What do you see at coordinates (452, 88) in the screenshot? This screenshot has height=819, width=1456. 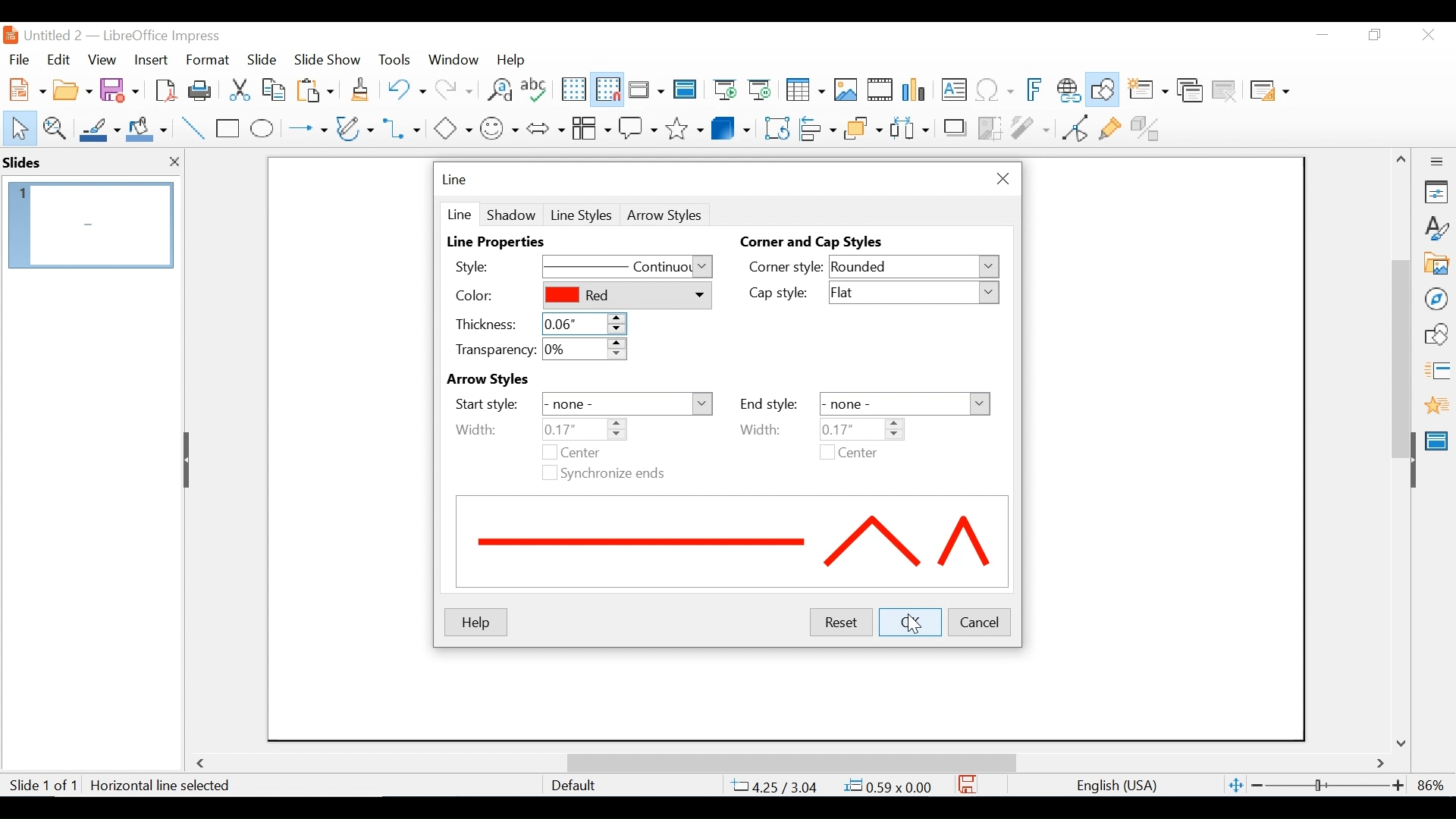 I see `Redo` at bounding box center [452, 88].